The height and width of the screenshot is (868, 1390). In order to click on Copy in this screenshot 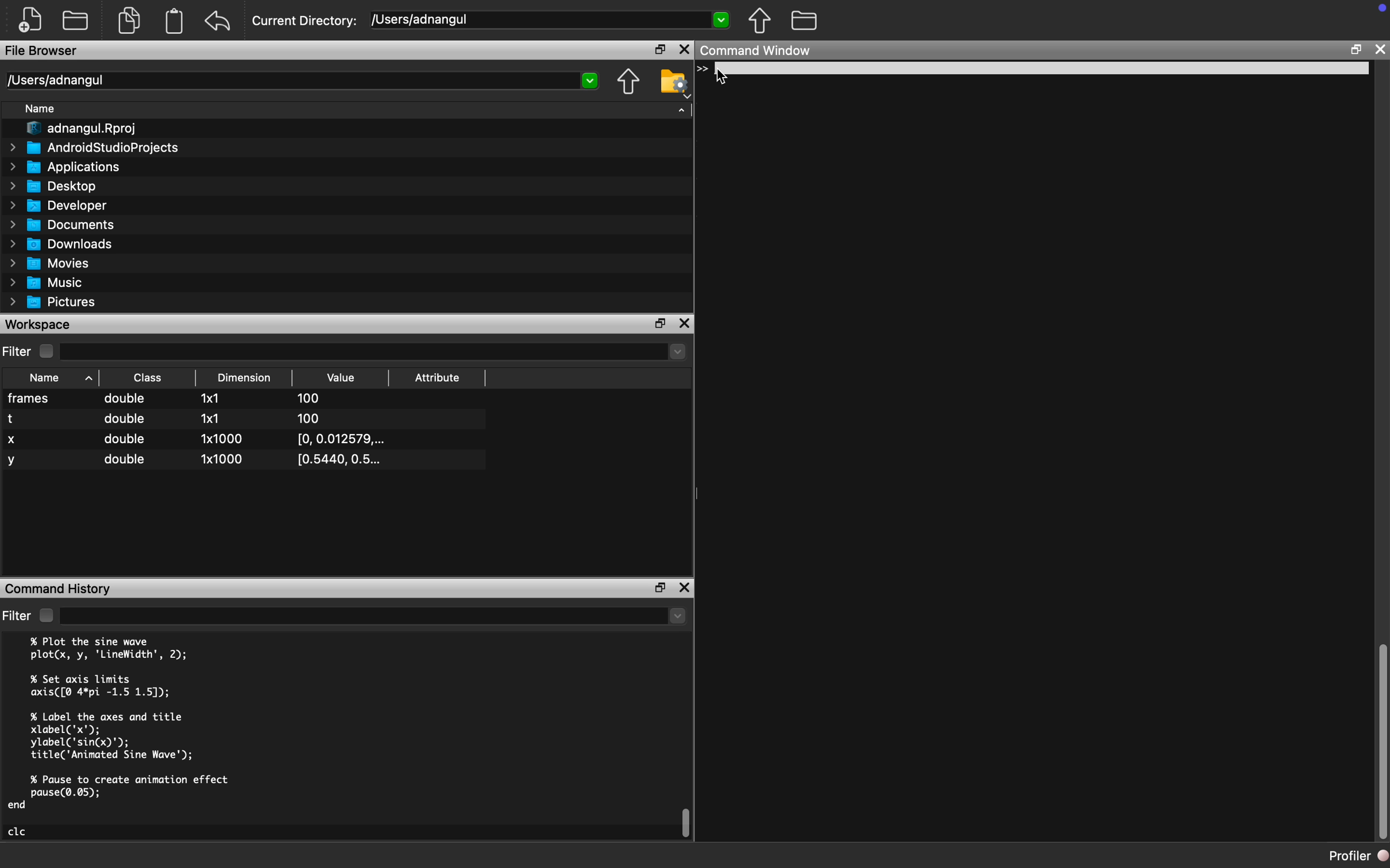, I will do `click(129, 23)`.